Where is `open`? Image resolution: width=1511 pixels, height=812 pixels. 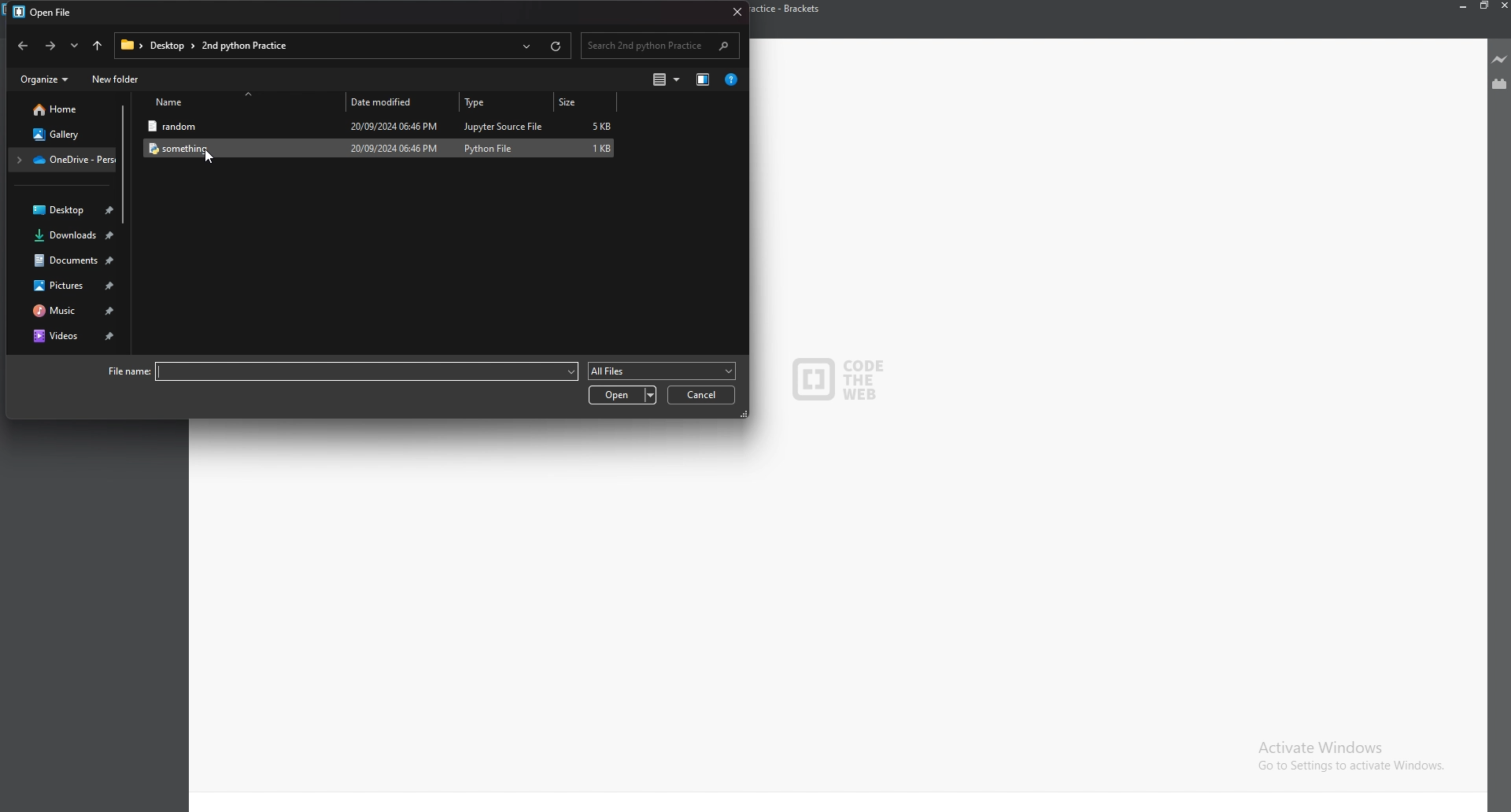 open is located at coordinates (623, 395).